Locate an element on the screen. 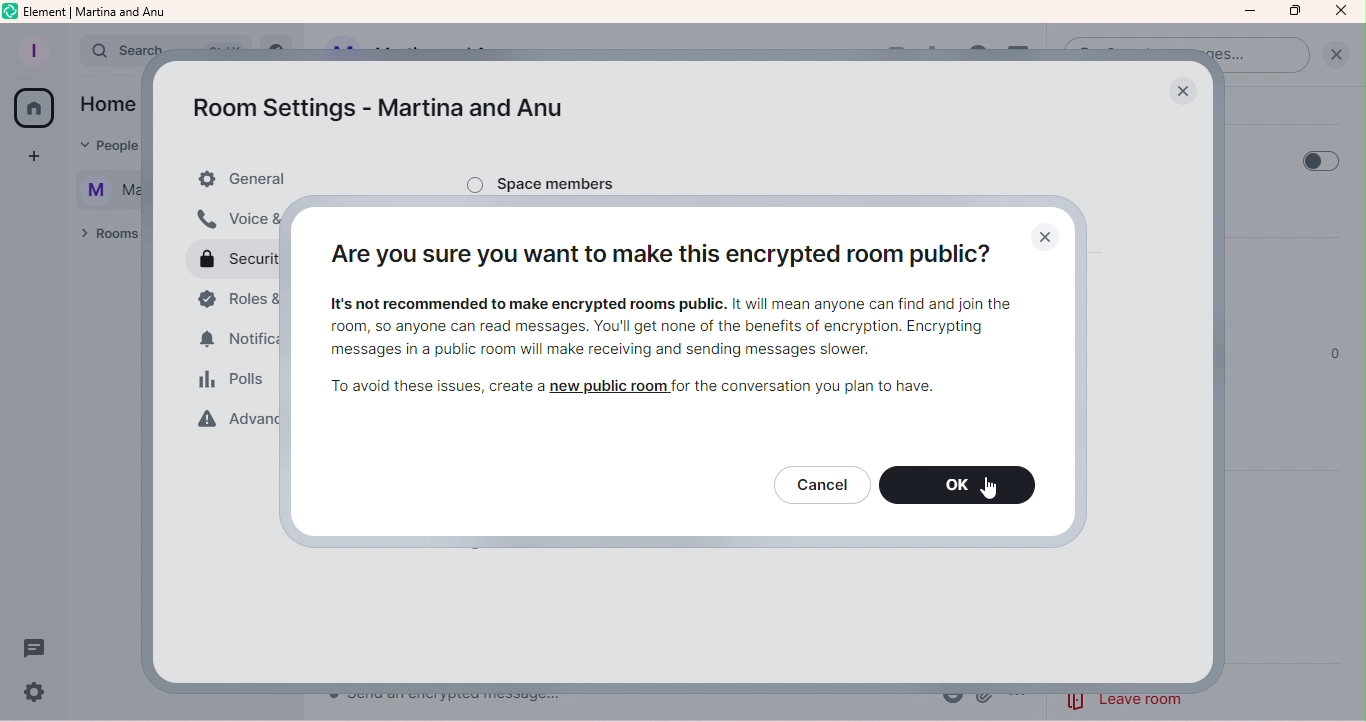  eave room is located at coordinates (1121, 696).